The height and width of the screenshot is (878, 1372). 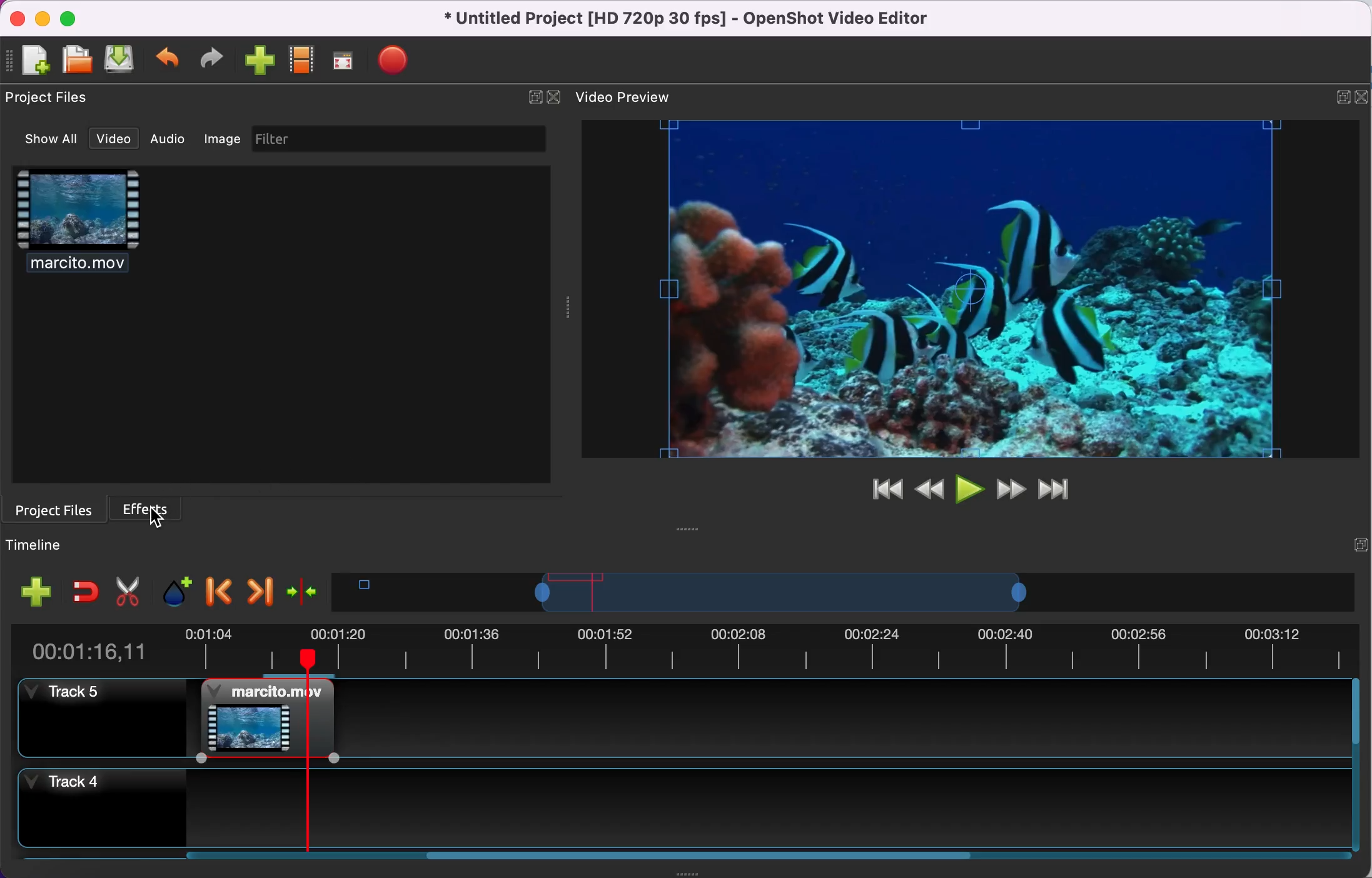 I want to click on close, so click(x=555, y=96).